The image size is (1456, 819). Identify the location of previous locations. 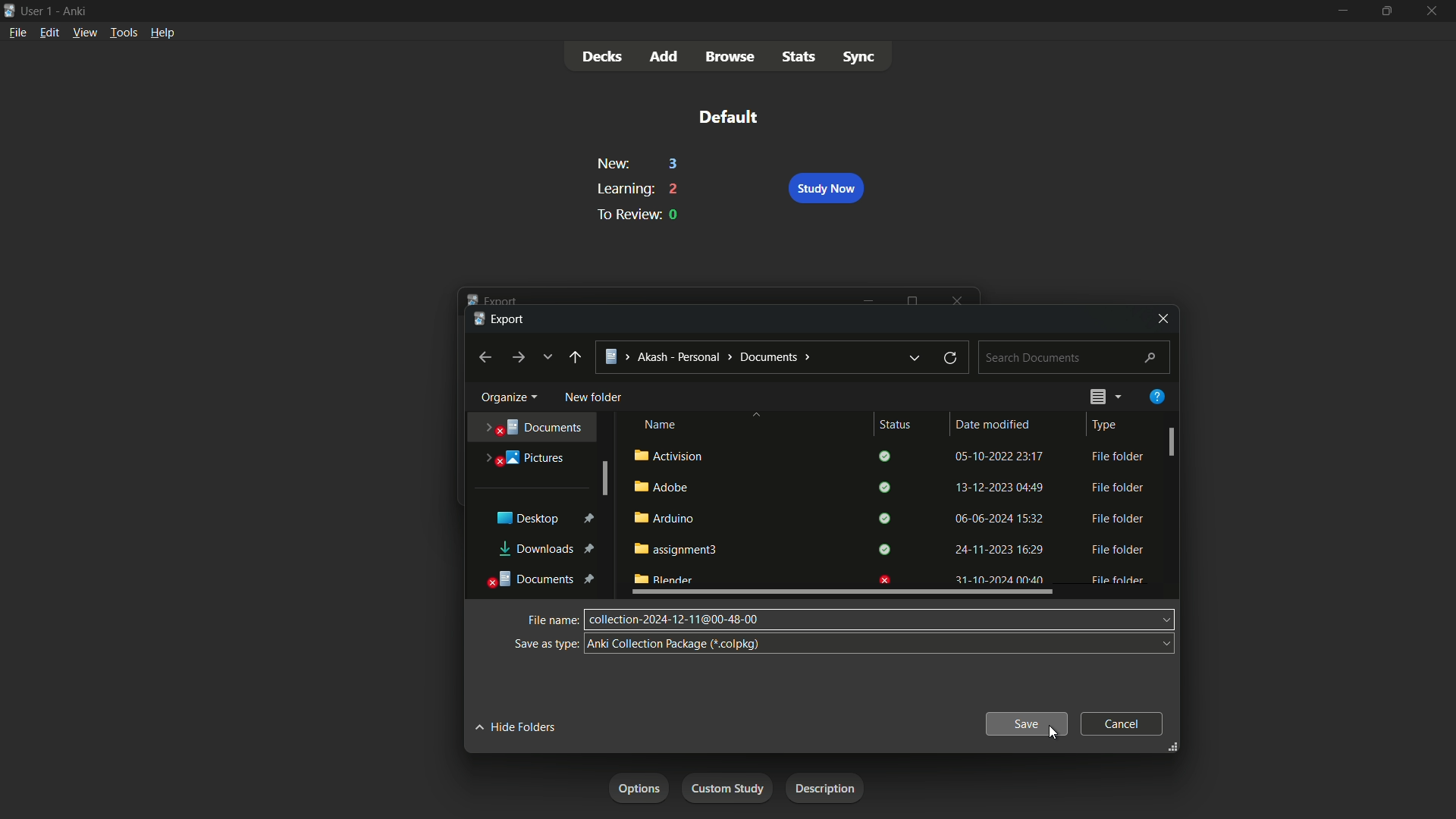
(547, 356).